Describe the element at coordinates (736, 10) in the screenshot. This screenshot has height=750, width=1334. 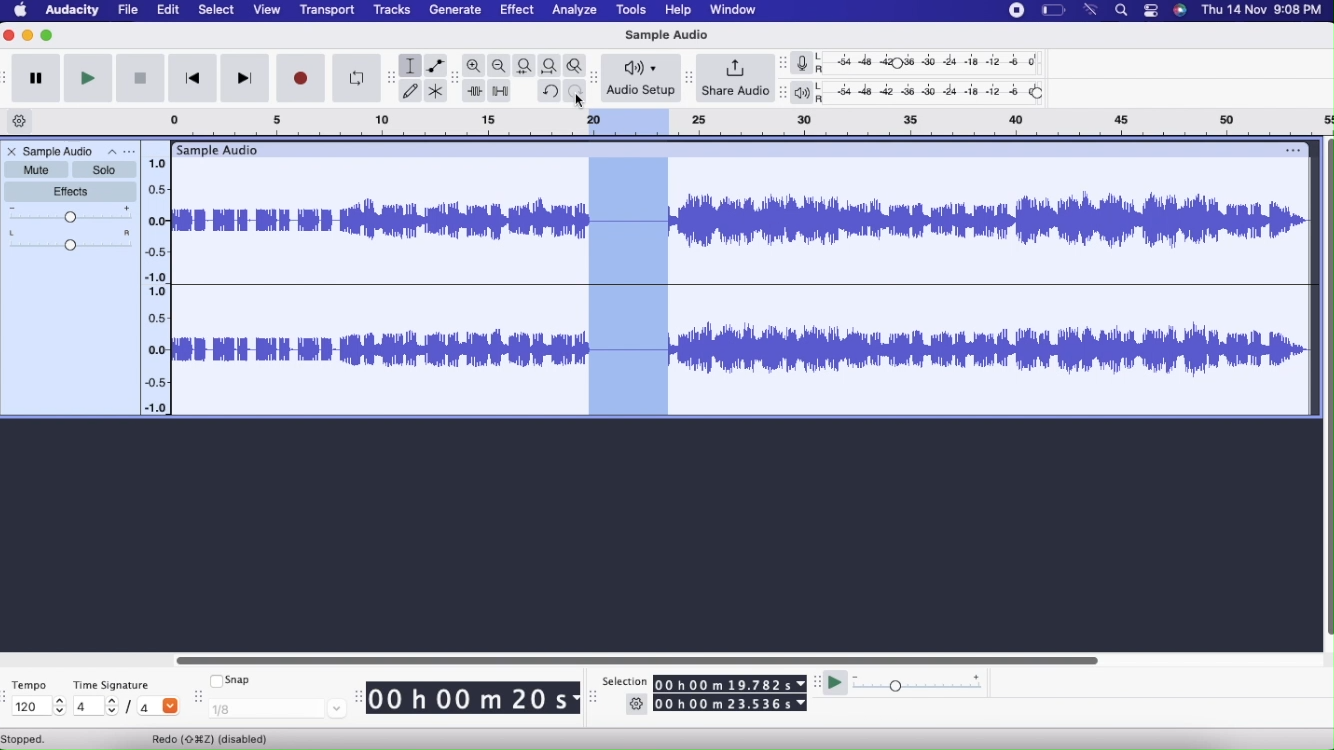
I see `Window` at that location.